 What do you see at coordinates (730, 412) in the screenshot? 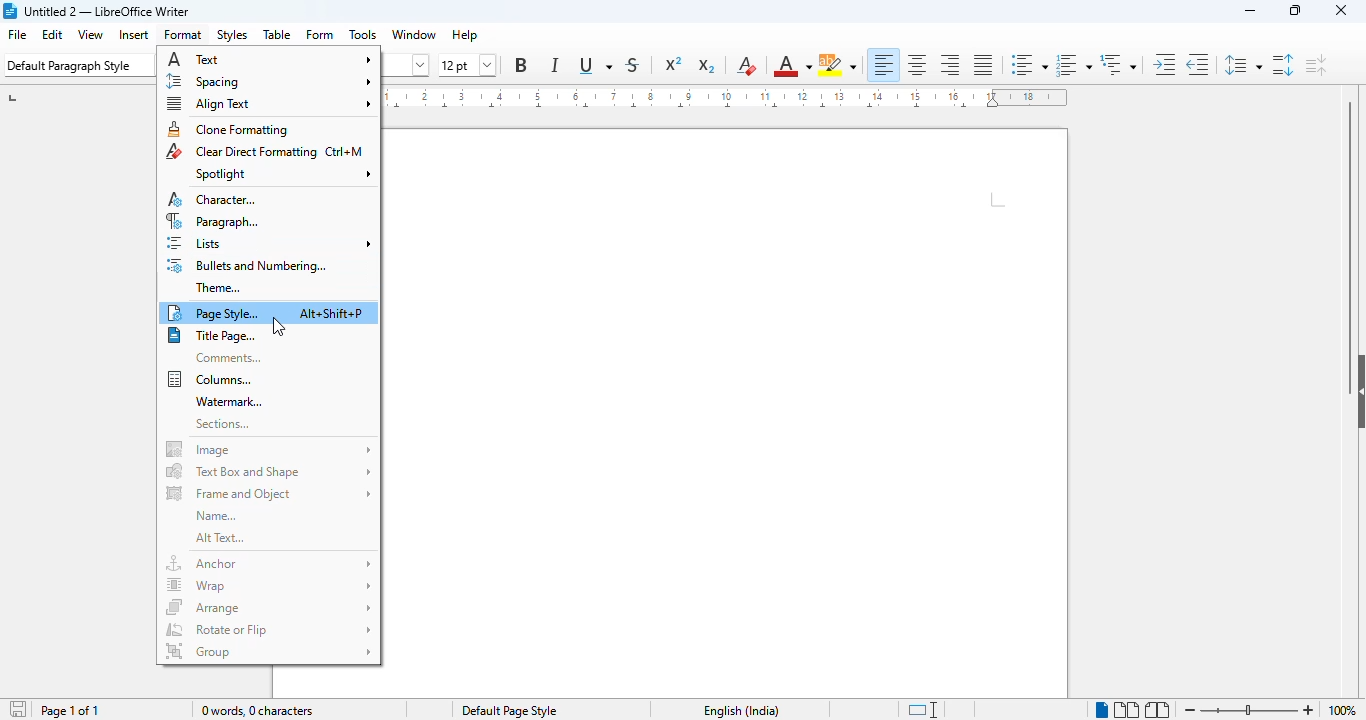
I see `workspace` at bounding box center [730, 412].